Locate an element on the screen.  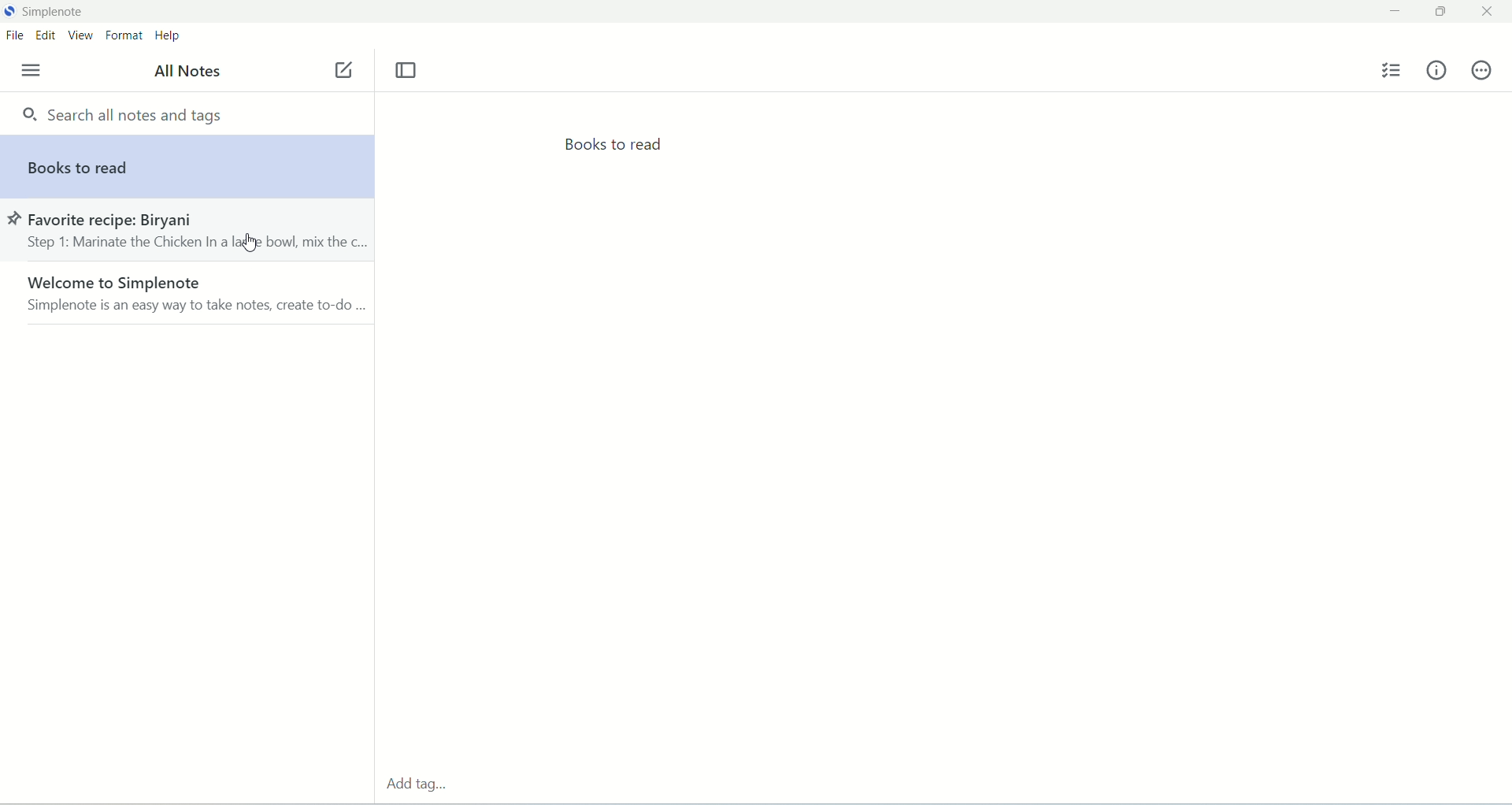
new note is located at coordinates (343, 69).